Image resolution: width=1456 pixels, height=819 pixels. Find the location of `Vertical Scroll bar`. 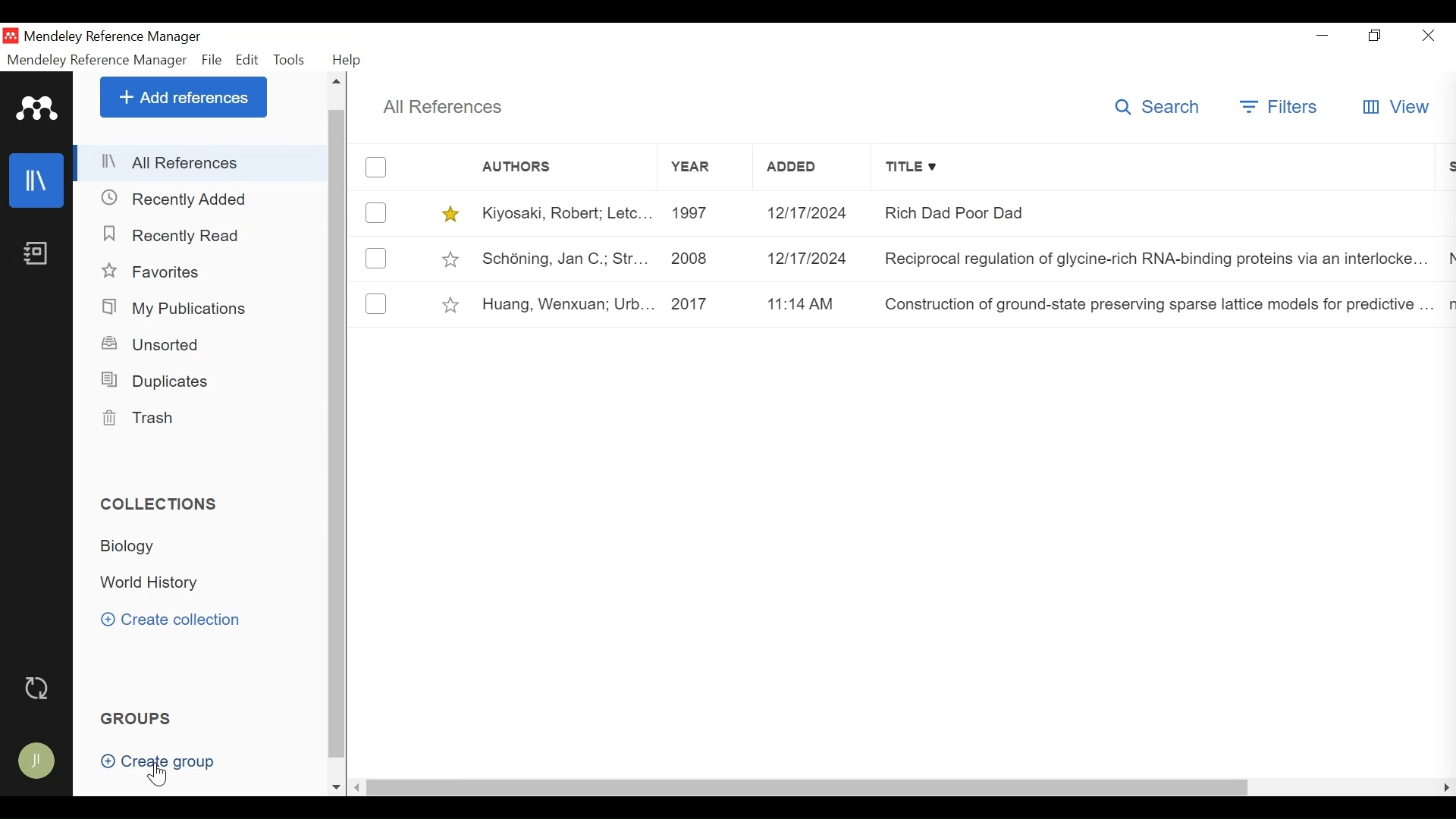

Vertical Scroll bar is located at coordinates (338, 434).